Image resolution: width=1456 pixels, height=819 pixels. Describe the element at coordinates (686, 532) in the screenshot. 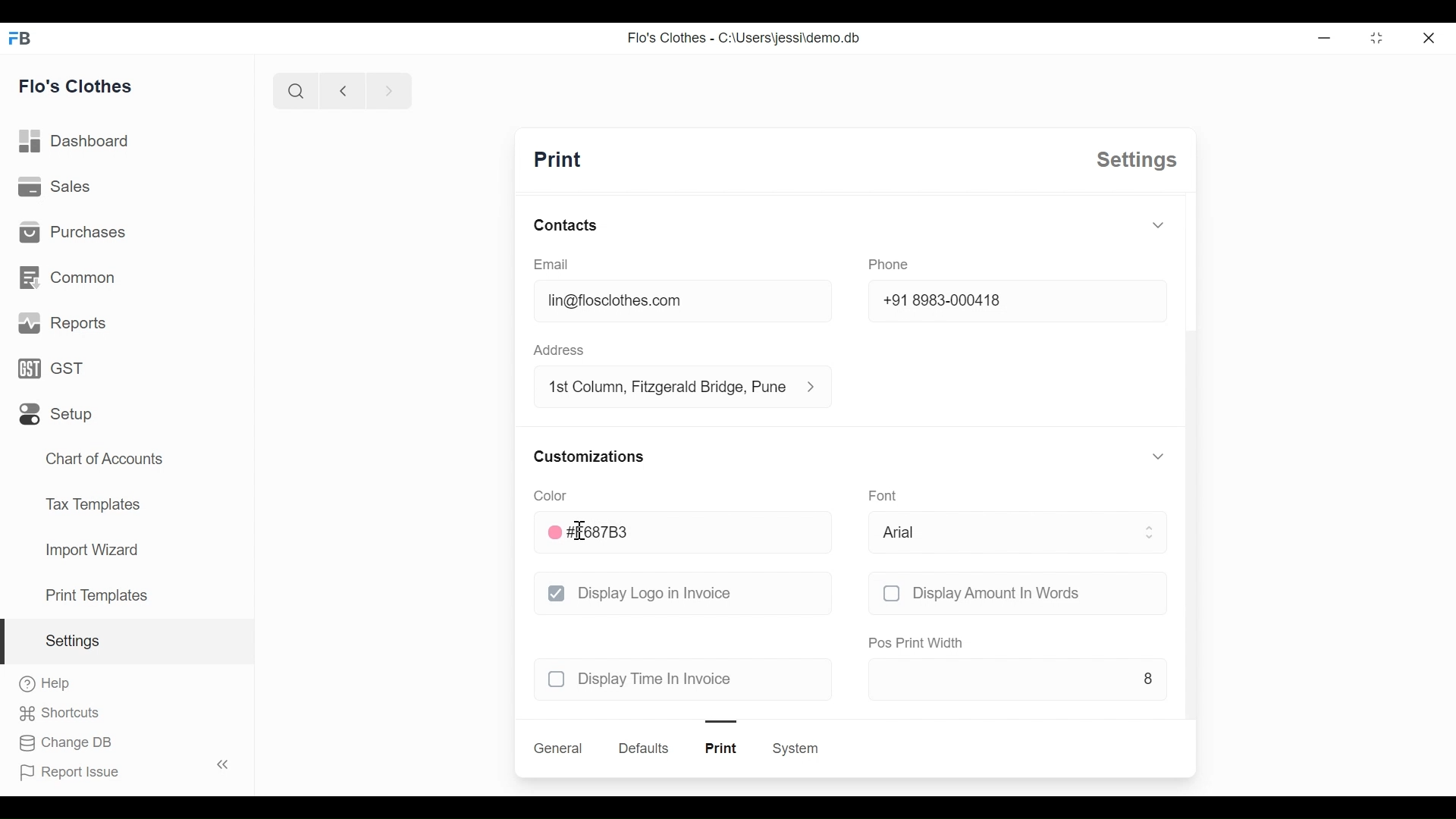

I see `#F687B3` at that location.